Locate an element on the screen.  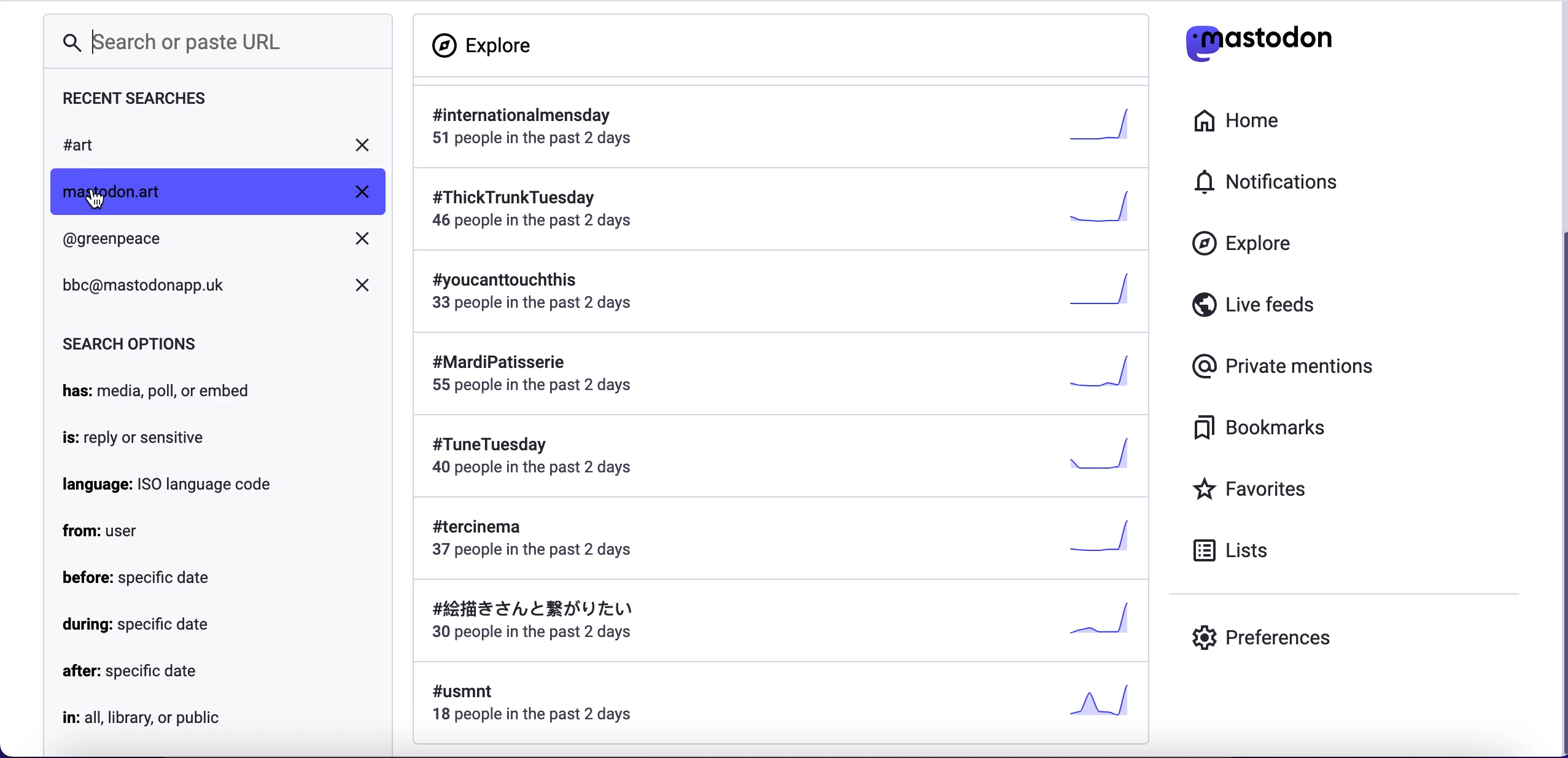
is; reply or sensitive is located at coordinates (138, 439).